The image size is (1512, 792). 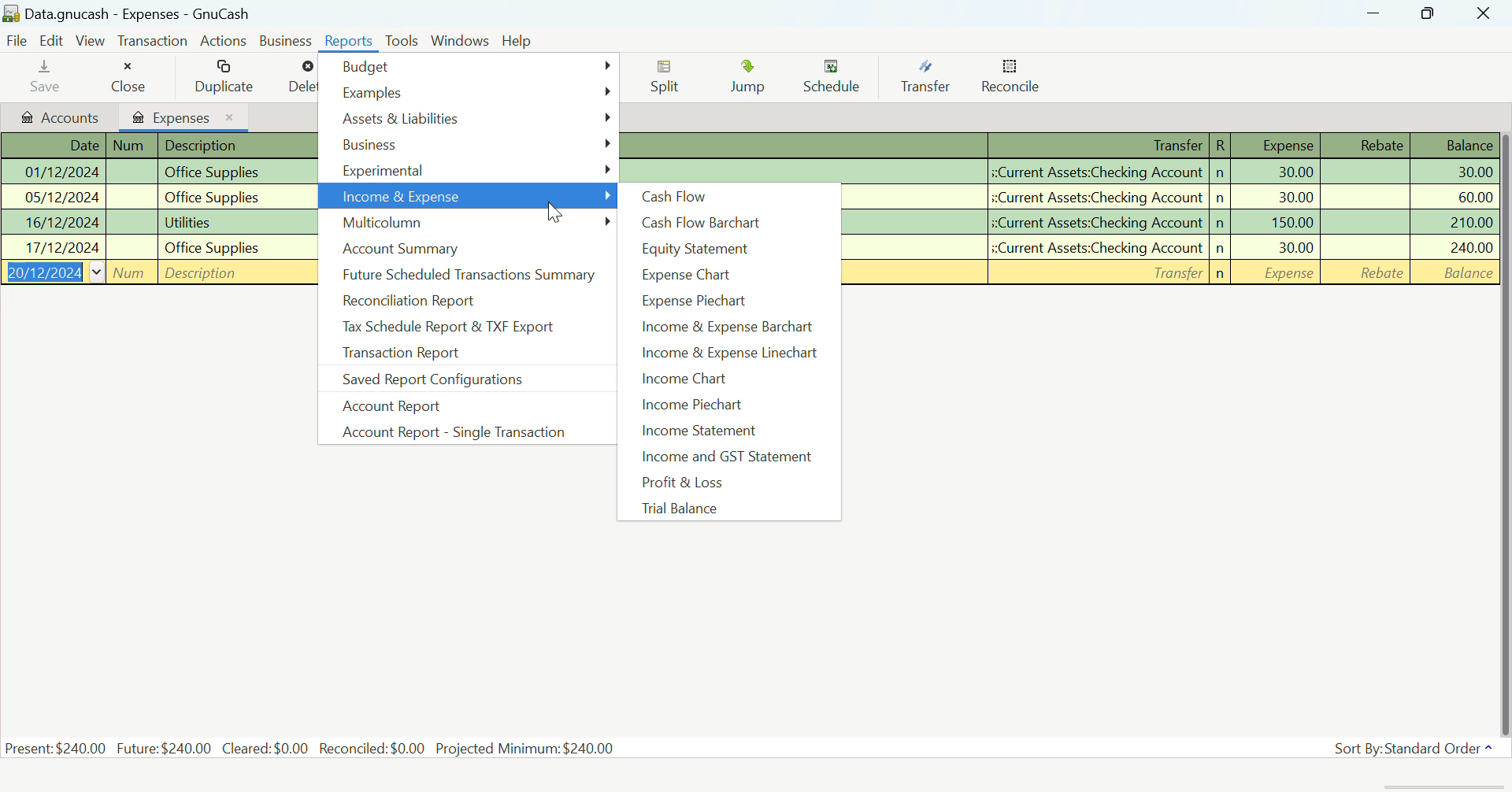 What do you see at coordinates (303, 80) in the screenshot?
I see `Delete` at bounding box center [303, 80].